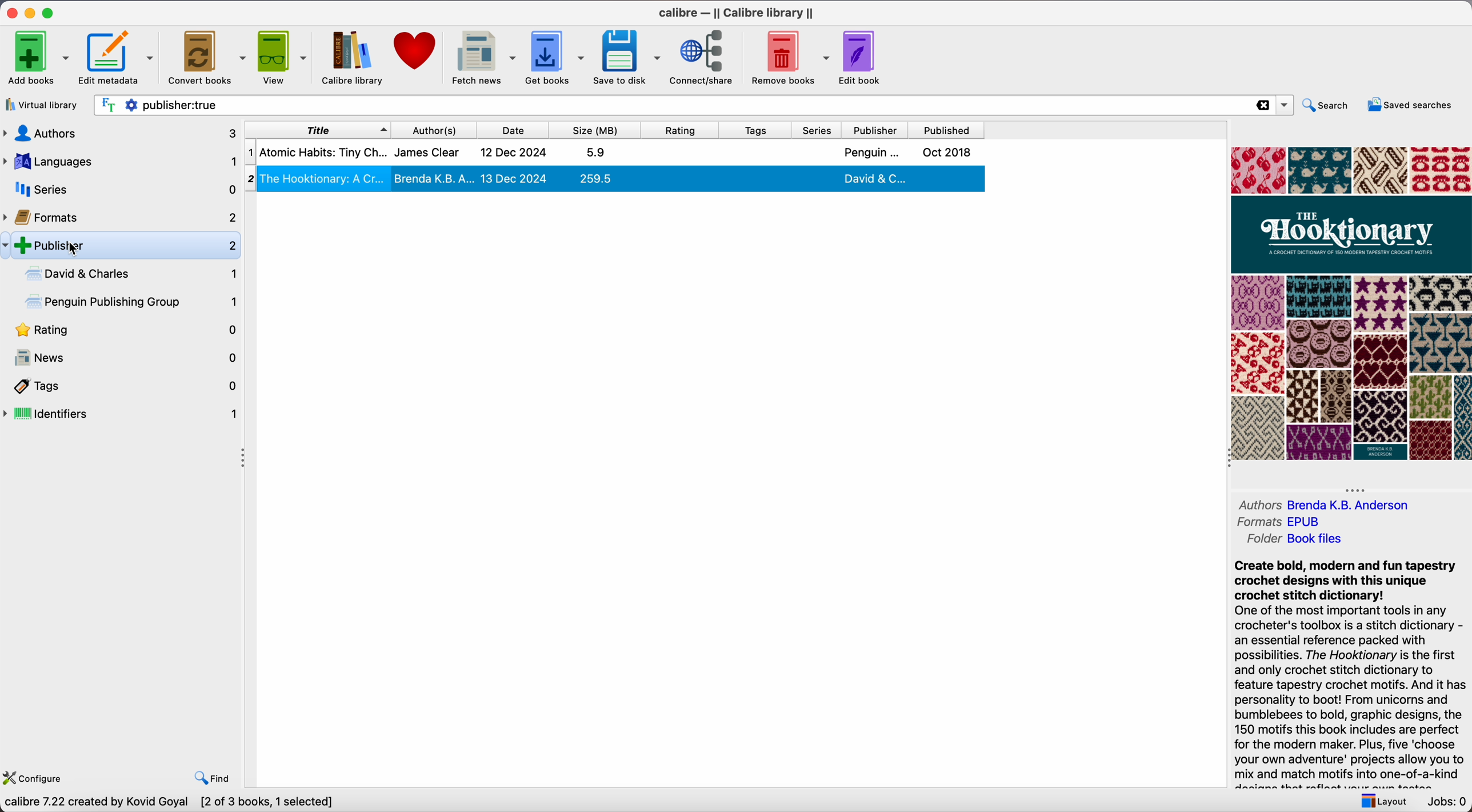 The height and width of the screenshot is (812, 1472). I want to click on author(s), so click(439, 129).